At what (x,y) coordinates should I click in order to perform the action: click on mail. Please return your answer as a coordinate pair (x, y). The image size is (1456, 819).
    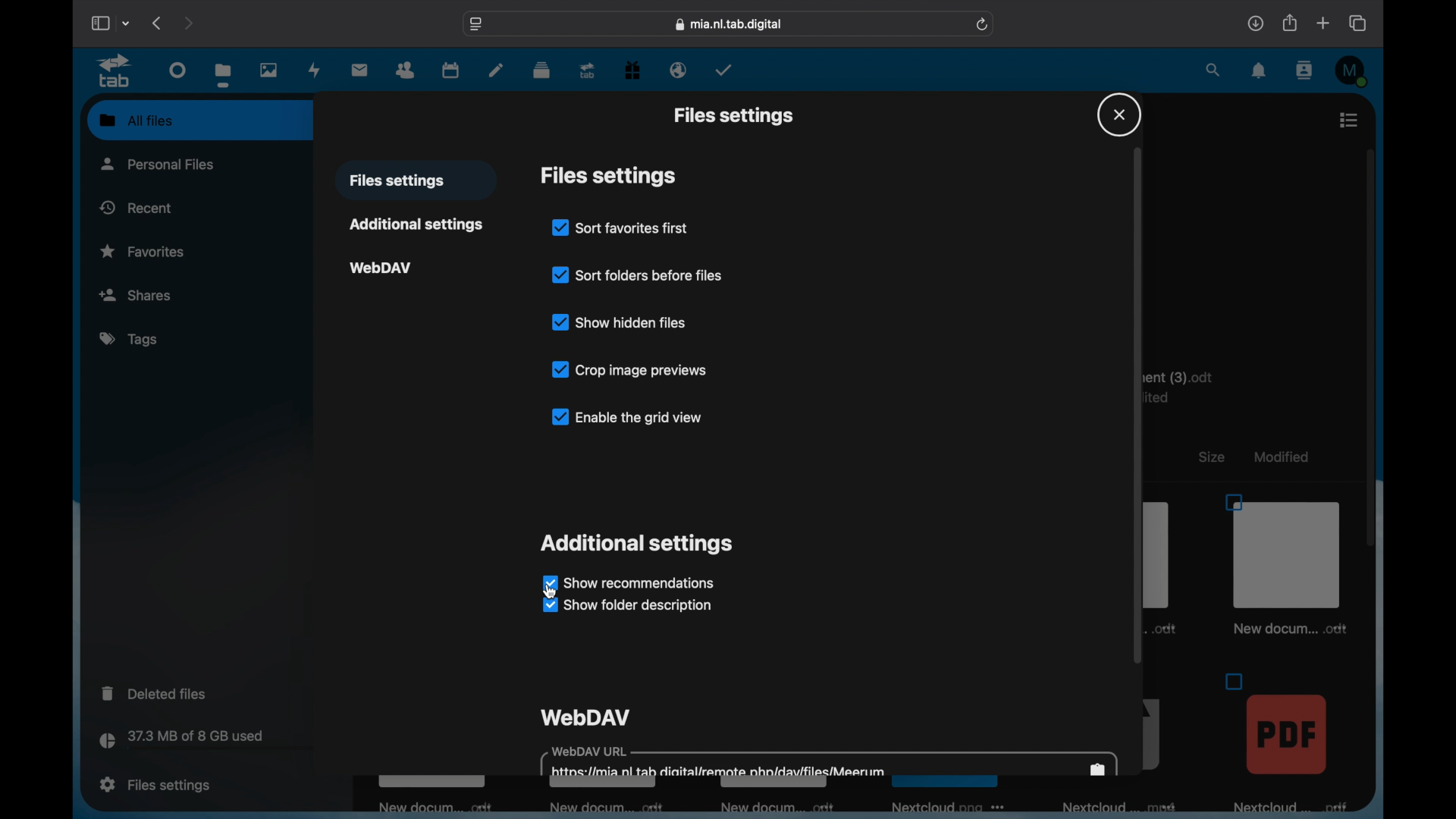
    Looking at the image, I should click on (360, 70).